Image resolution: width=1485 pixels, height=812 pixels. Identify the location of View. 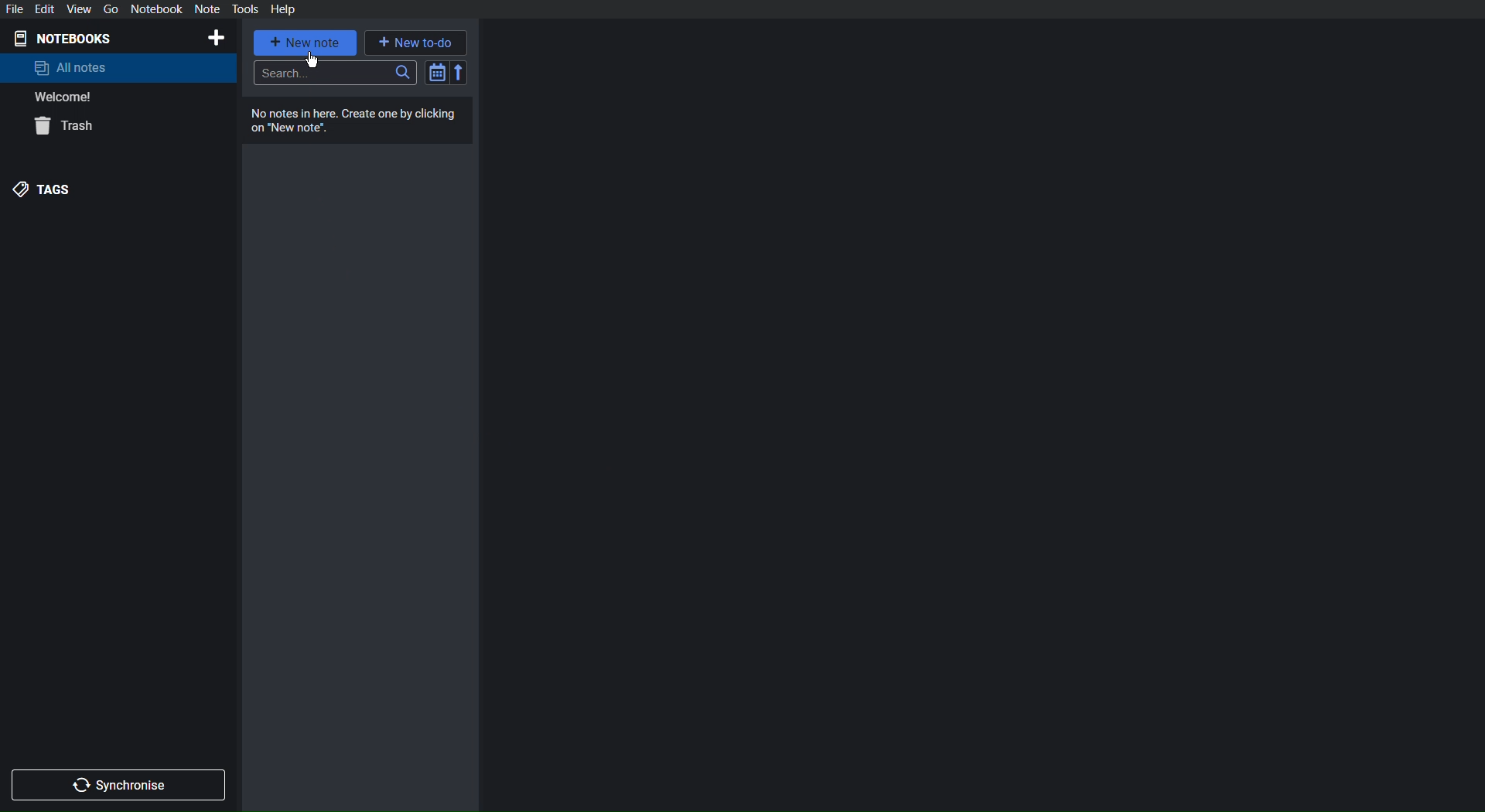
(78, 9).